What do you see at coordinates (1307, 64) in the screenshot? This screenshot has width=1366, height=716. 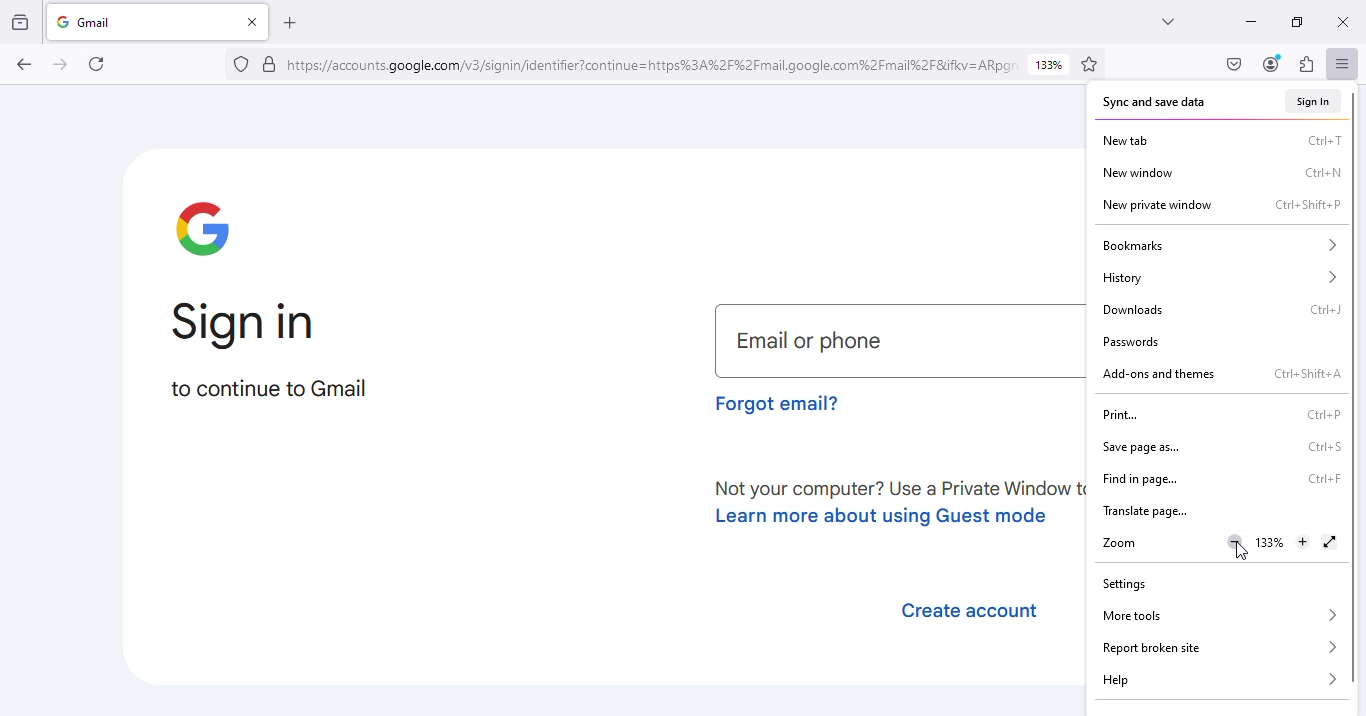 I see `extensions` at bounding box center [1307, 64].